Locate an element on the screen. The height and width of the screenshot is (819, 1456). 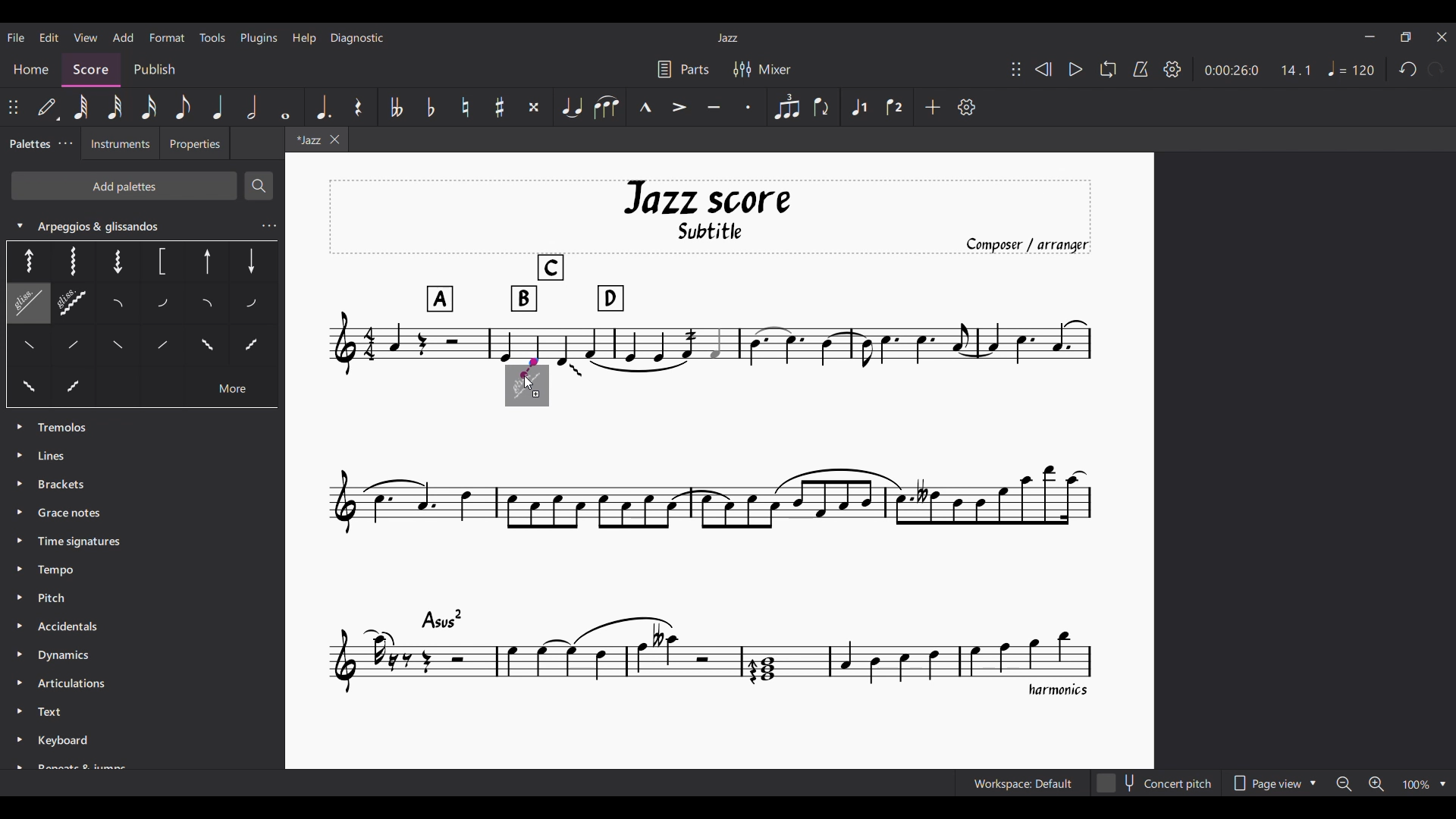
Zoom options is located at coordinates (1391, 783).